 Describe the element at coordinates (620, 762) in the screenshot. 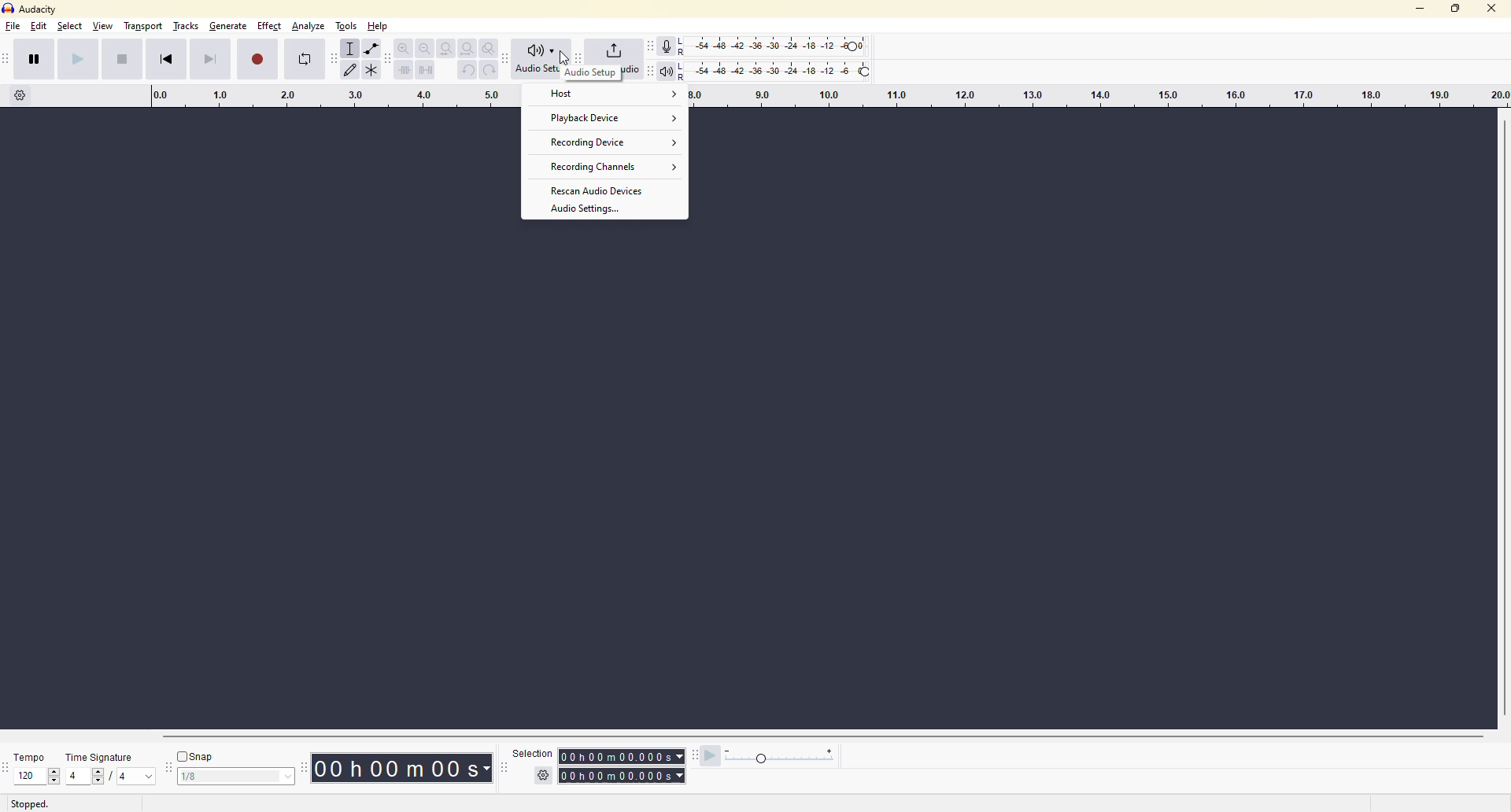

I see `selection` at that location.